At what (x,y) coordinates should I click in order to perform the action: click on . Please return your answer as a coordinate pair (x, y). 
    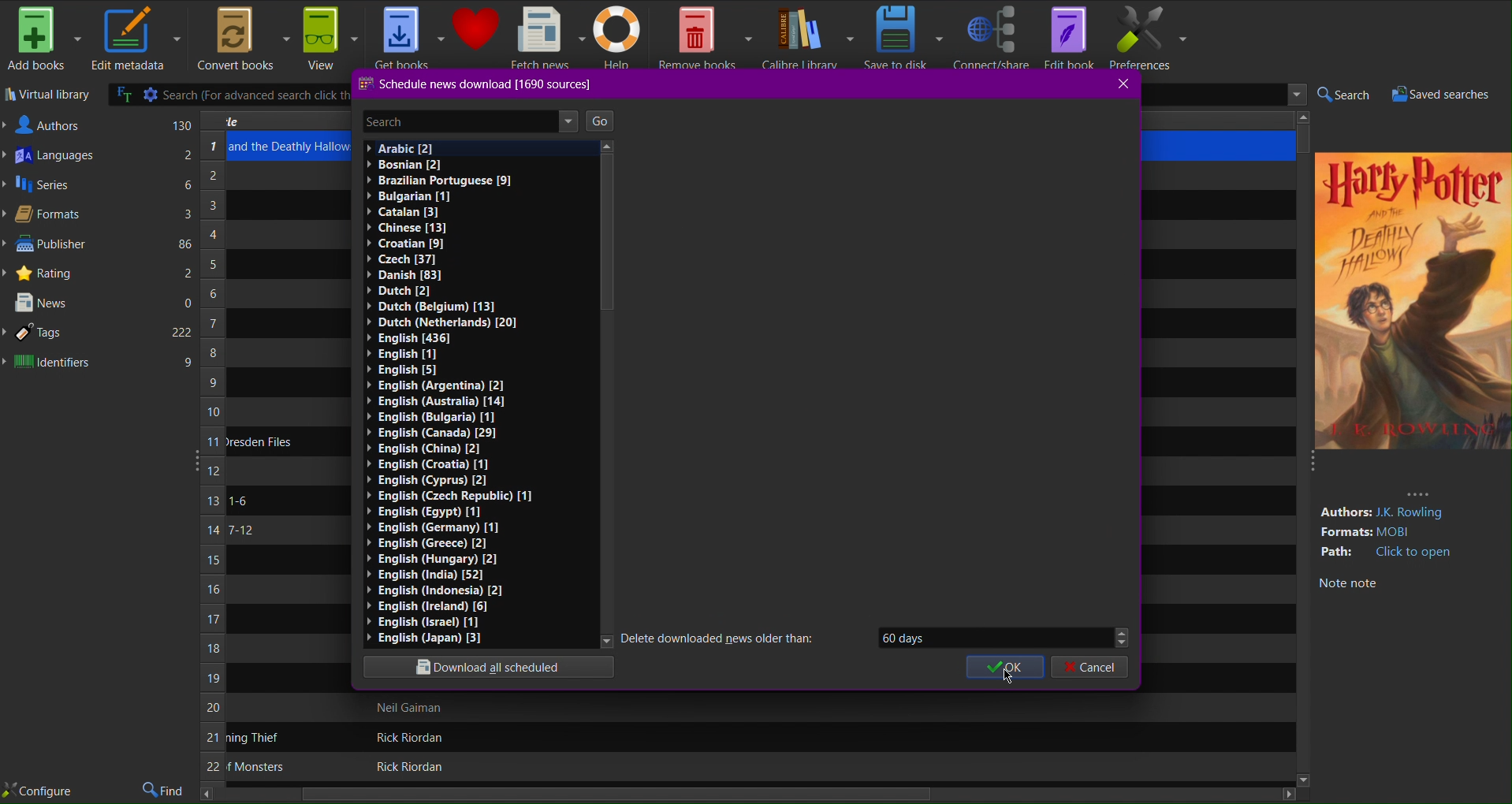
    Looking at the image, I should click on (233, 121).